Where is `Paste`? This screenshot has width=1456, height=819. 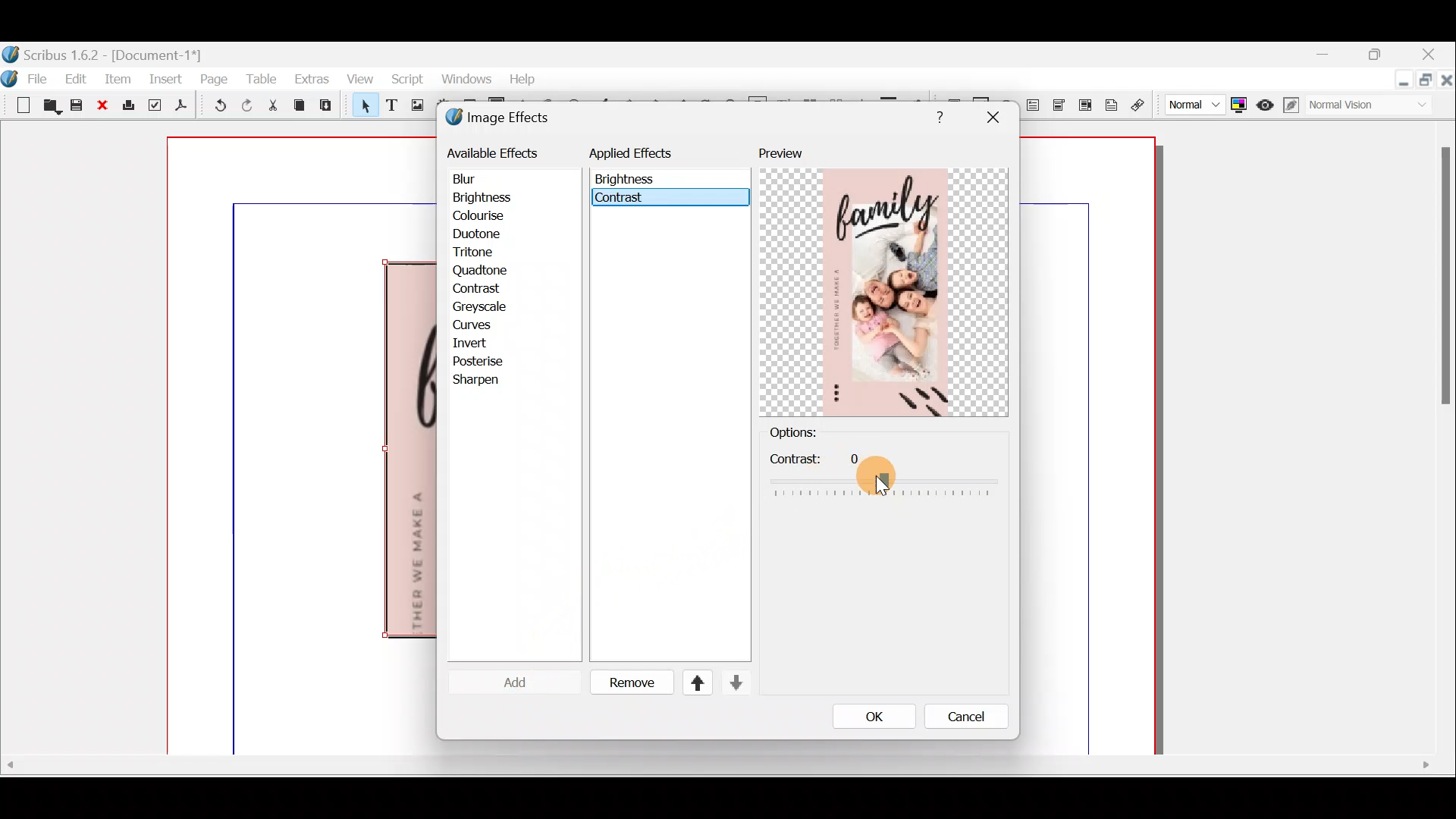
Paste is located at coordinates (329, 107).